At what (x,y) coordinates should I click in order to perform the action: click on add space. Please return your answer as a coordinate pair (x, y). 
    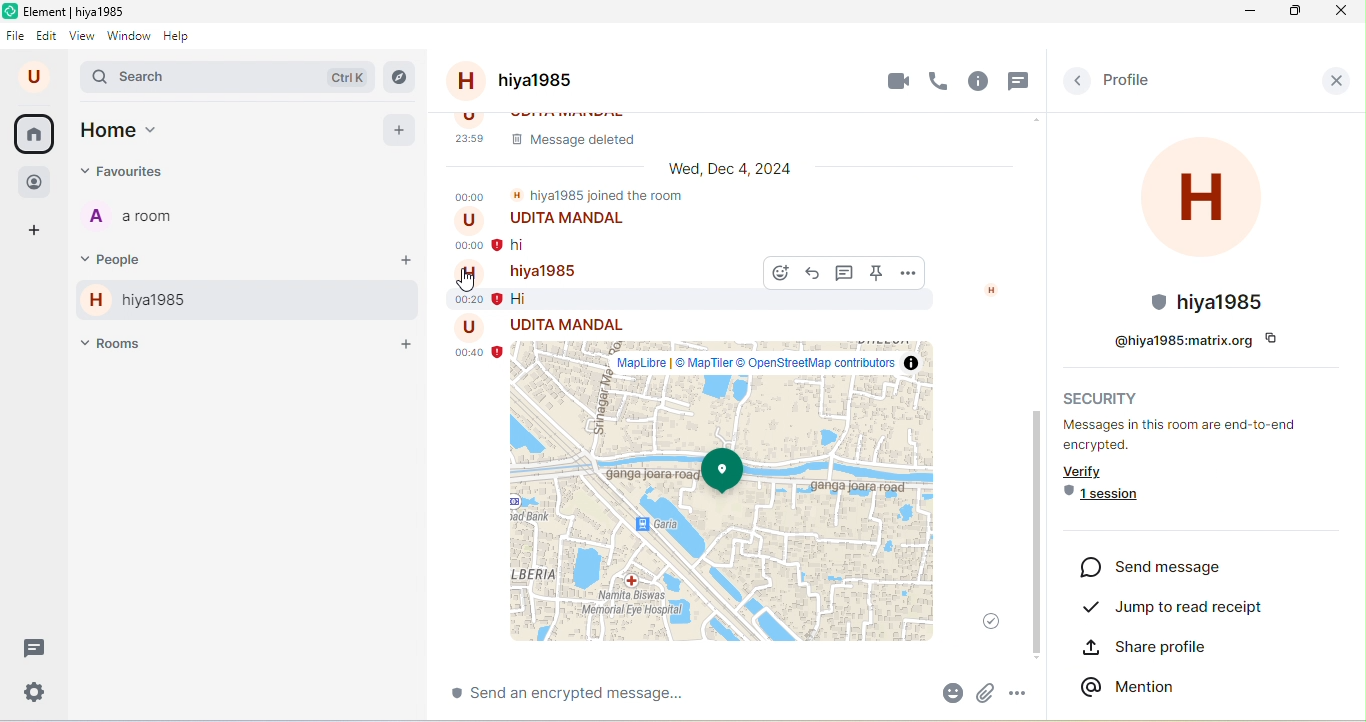
    Looking at the image, I should click on (36, 229).